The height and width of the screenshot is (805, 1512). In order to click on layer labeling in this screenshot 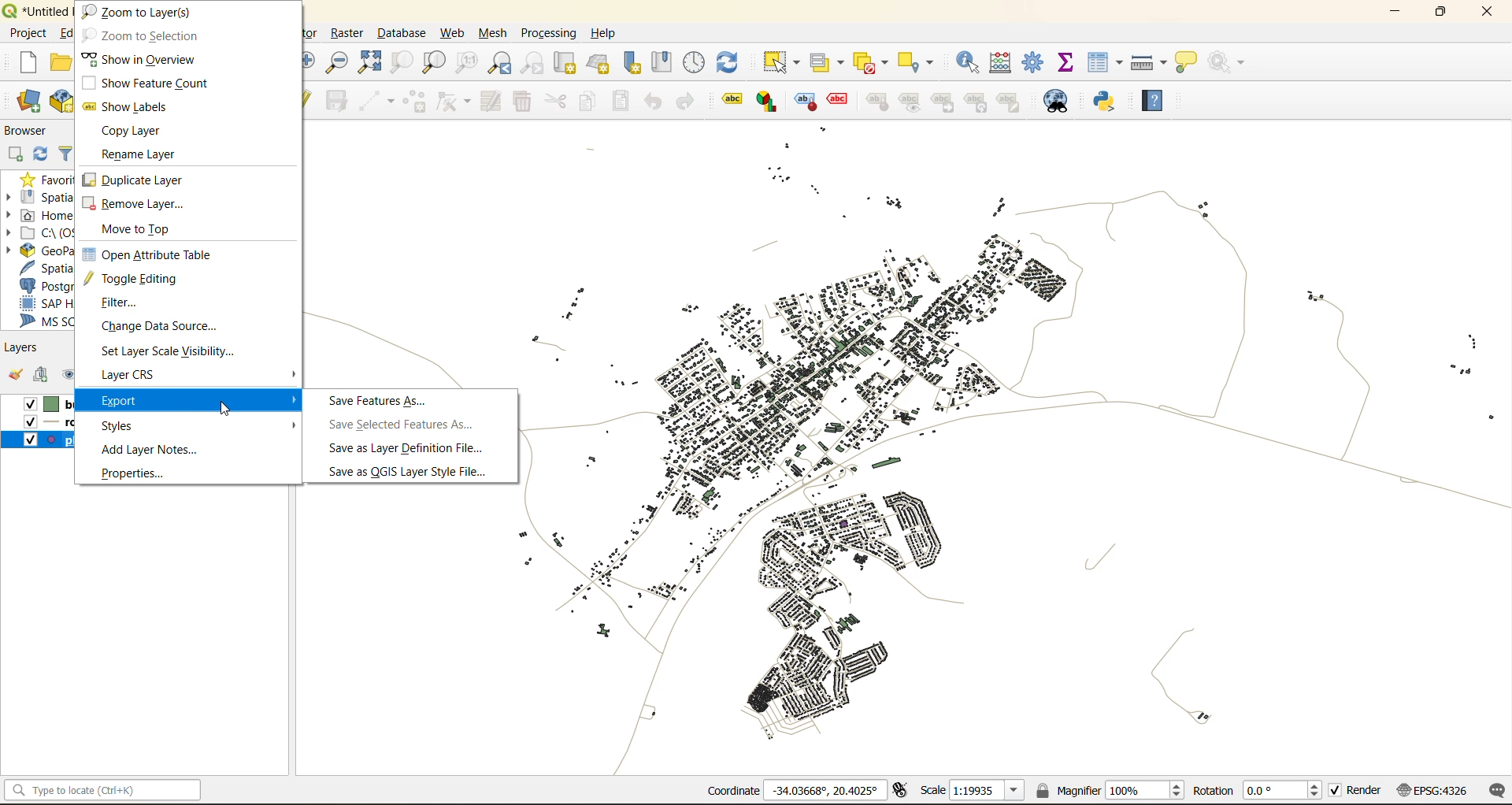, I will do `click(730, 100)`.